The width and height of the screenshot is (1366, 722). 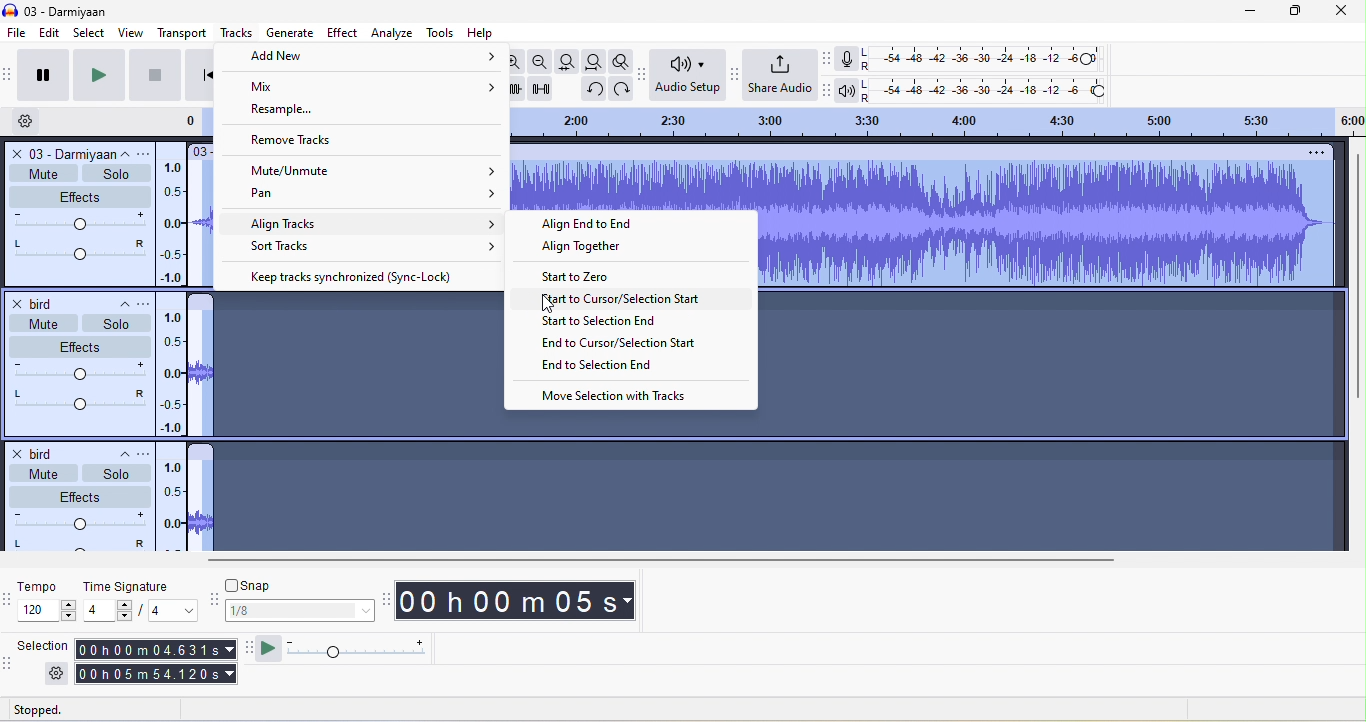 I want to click on 00 h 00 m 04 631 s , so click(x=158, y=647).